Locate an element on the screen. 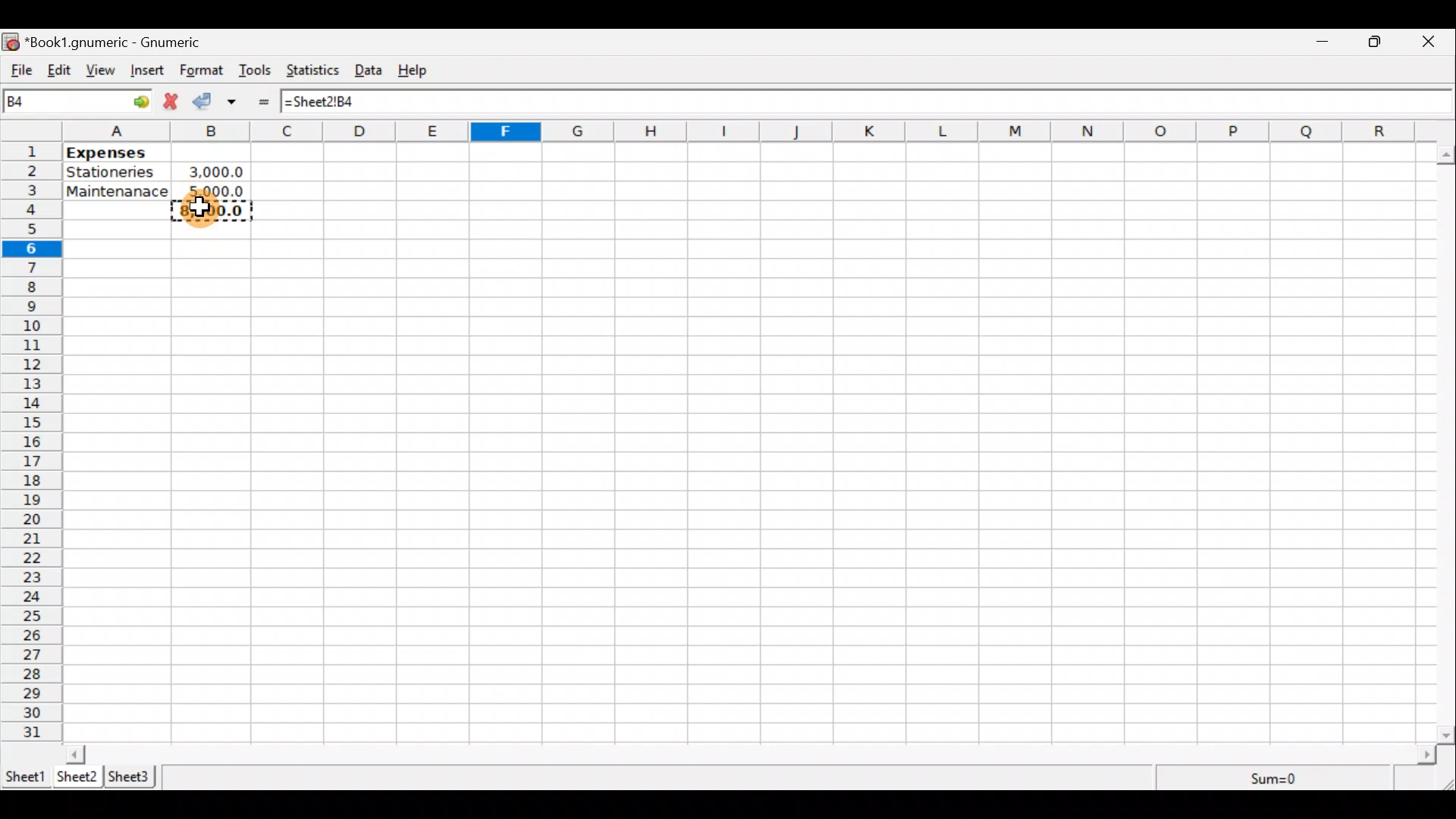 The width and height of the screenshot is (1456, 819). Edit is located at coordinates (59, 71).